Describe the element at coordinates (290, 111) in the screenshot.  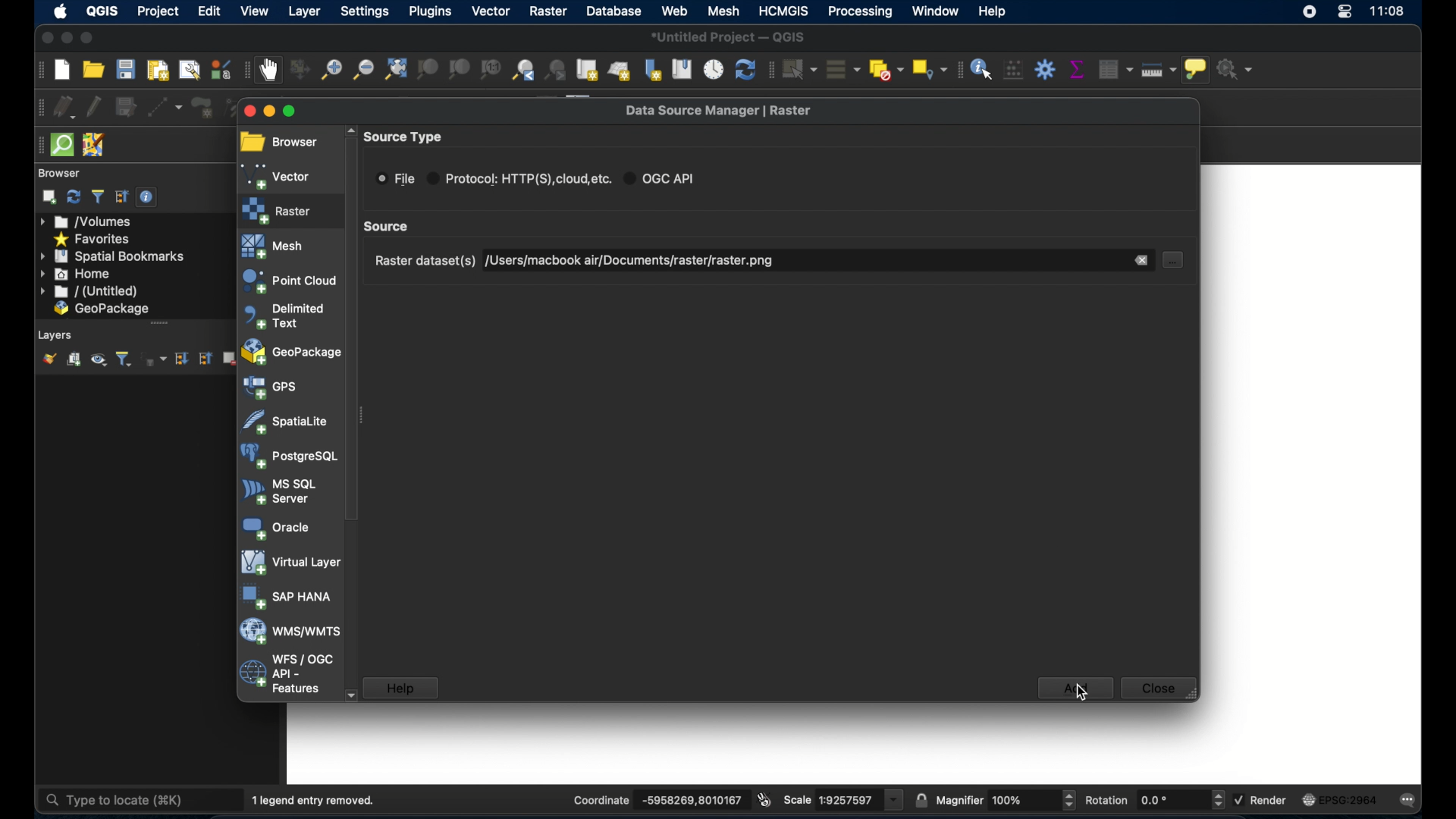
I see `maximize` at that location.